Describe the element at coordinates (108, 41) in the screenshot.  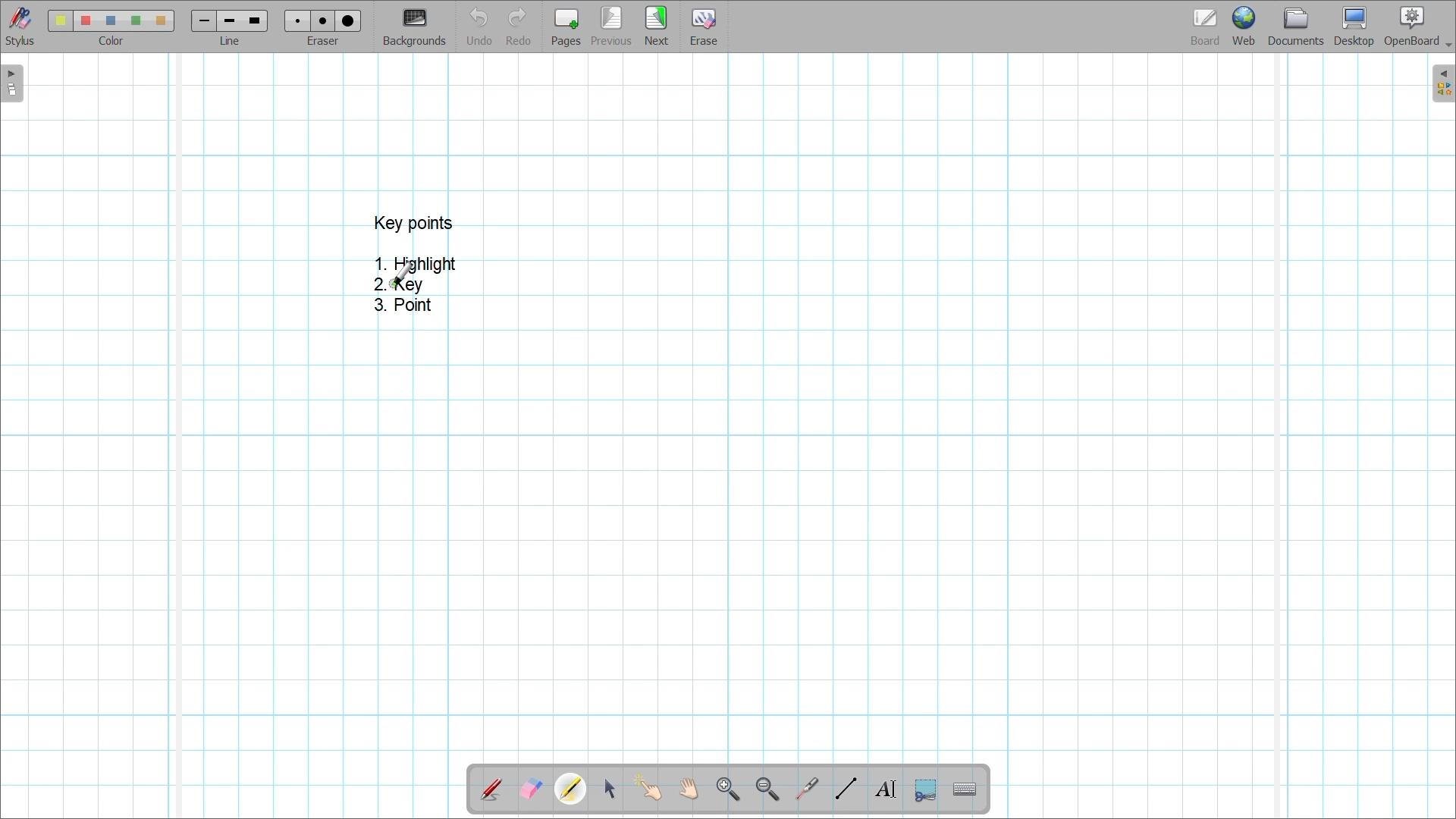
I see `color` at that location.